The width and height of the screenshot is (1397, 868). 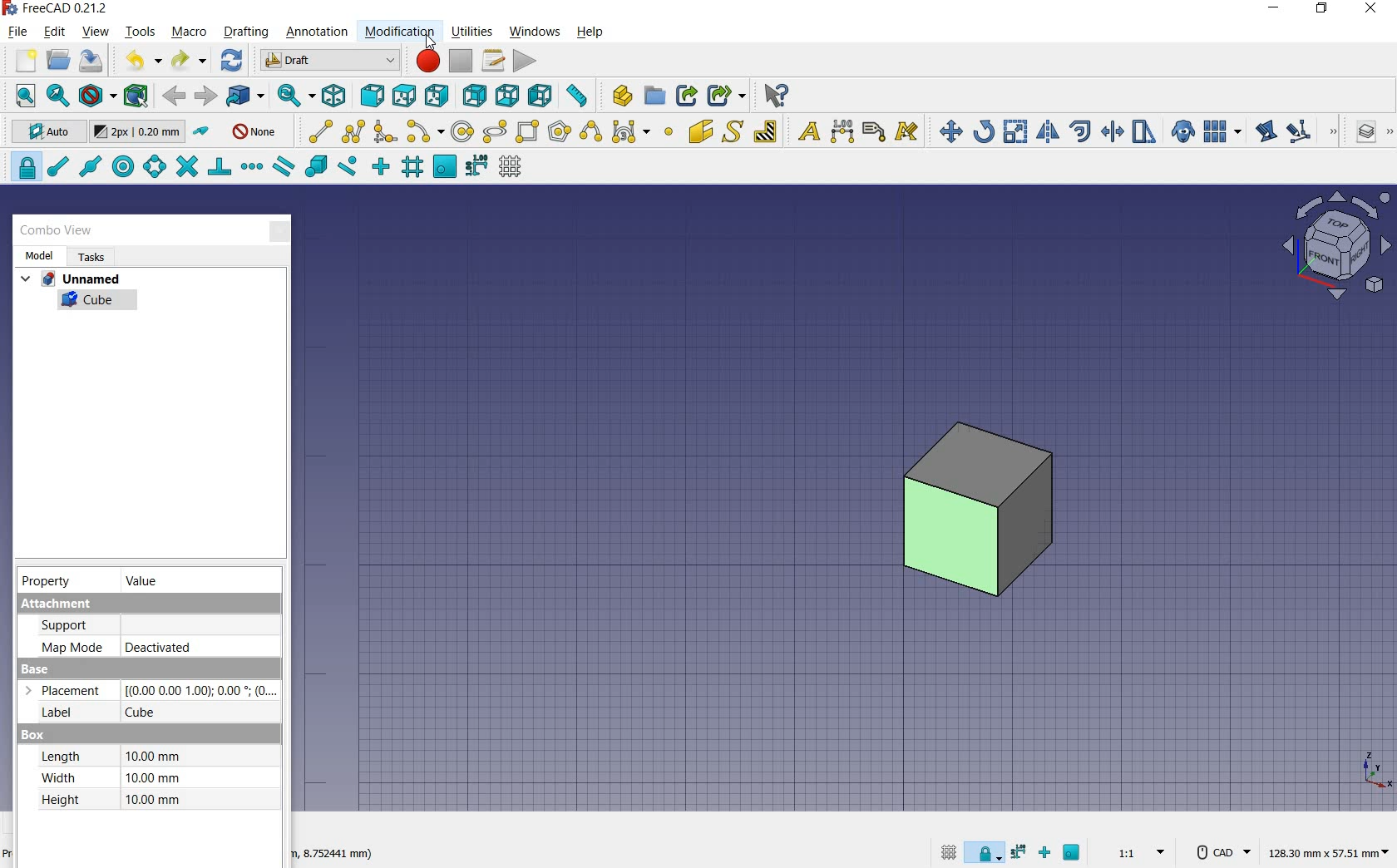 I want to click on line, so click(x=316, y=131).